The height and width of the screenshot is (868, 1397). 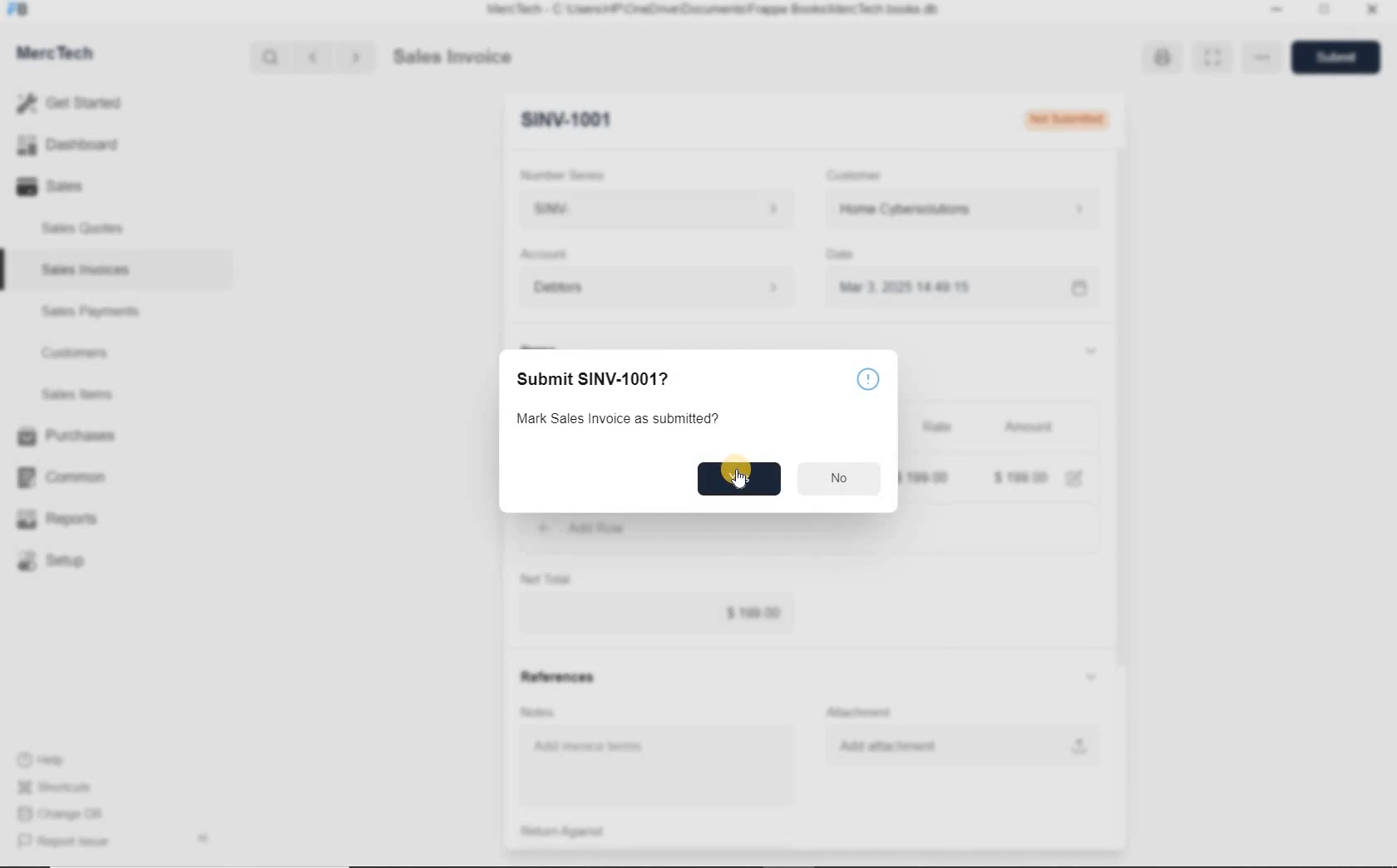 I want to click on Sales Payments, so click(x=88, y=312).